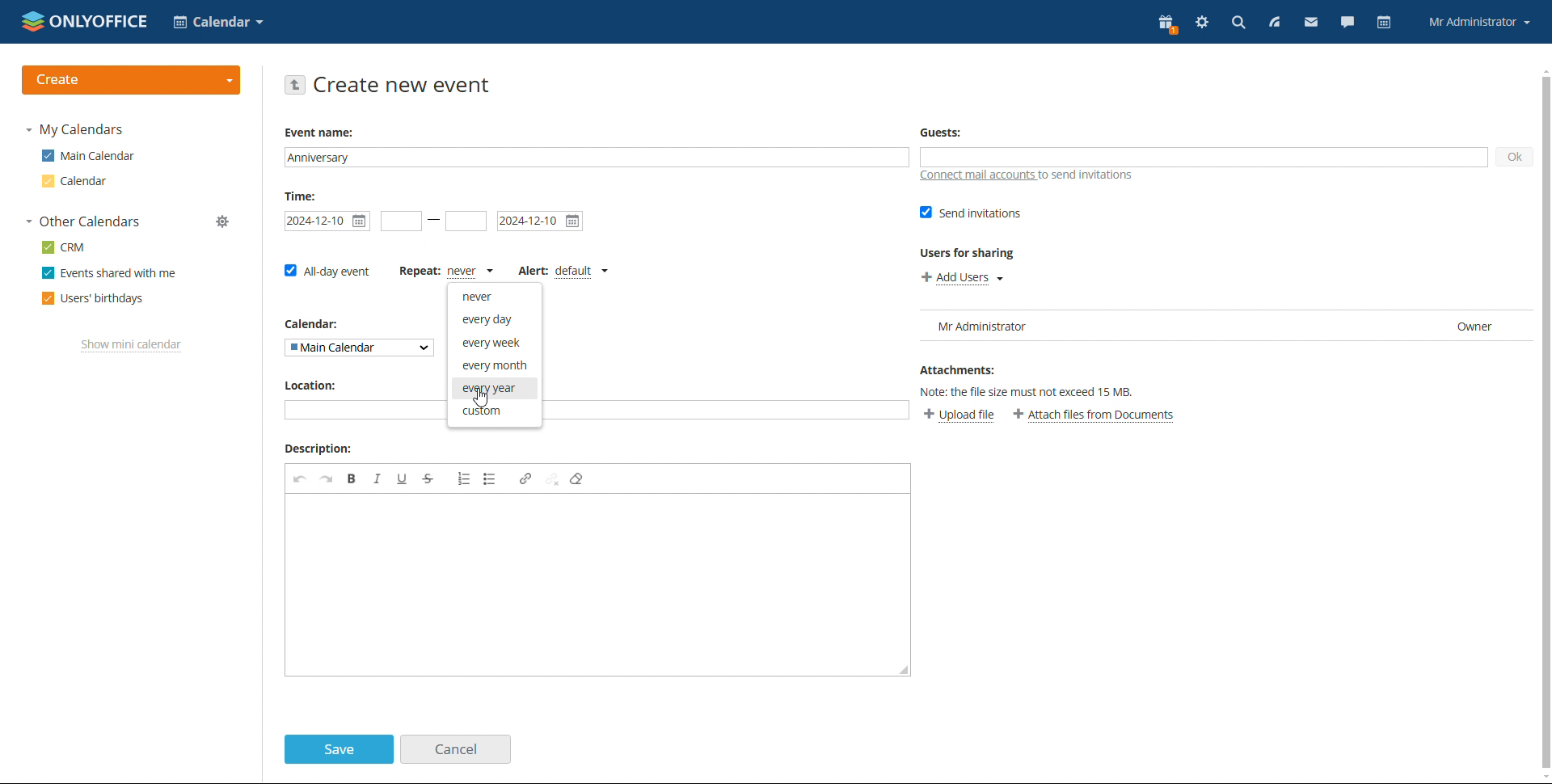 Image resolution: width=1552 pixels, height=784 pixels. Describe the element at coordinates (541, 221) in the screenshot. I see `end date` at that location.